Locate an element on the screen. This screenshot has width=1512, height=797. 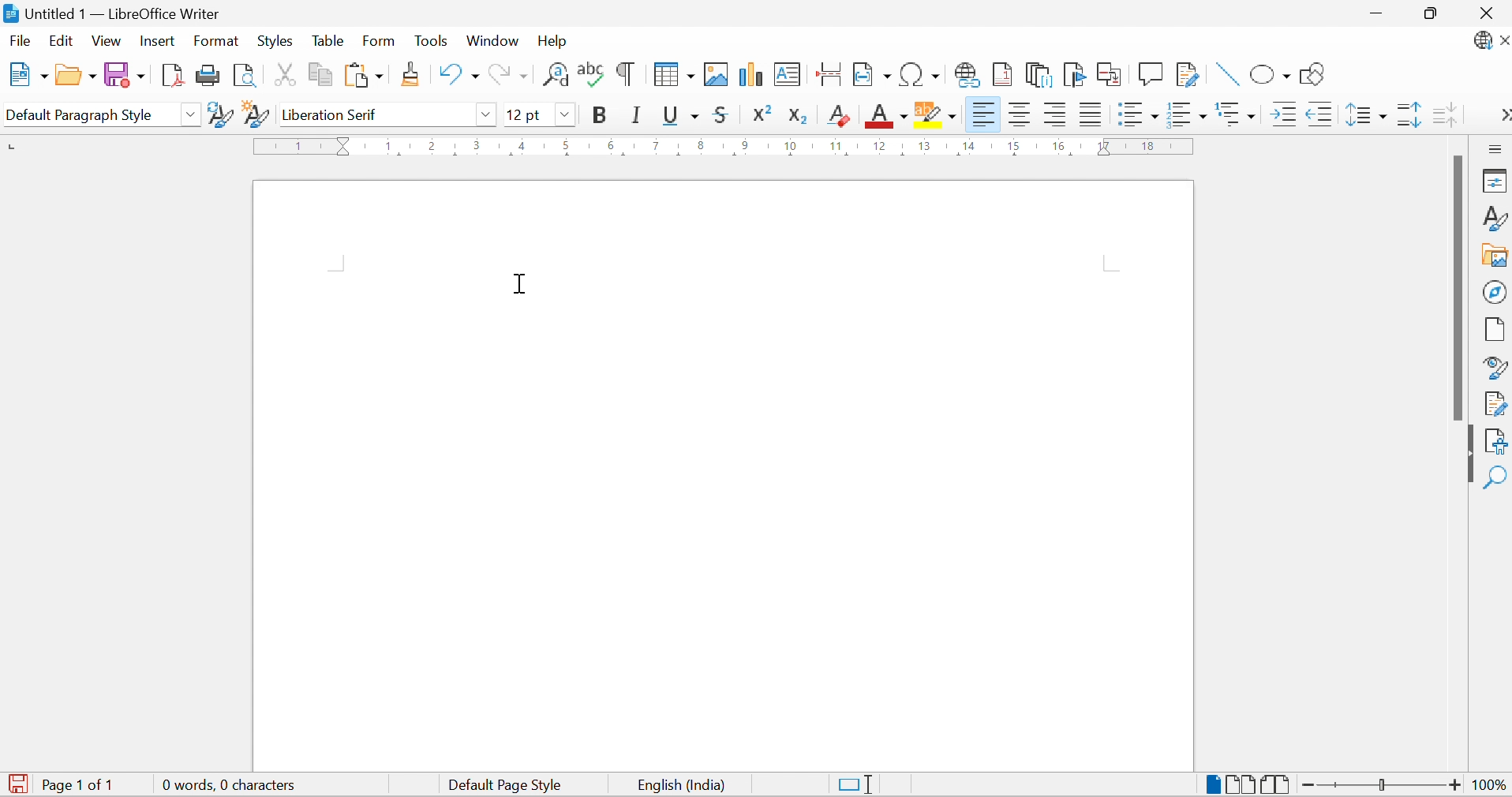
Clone Formatting is located at coordinates (413, 73).